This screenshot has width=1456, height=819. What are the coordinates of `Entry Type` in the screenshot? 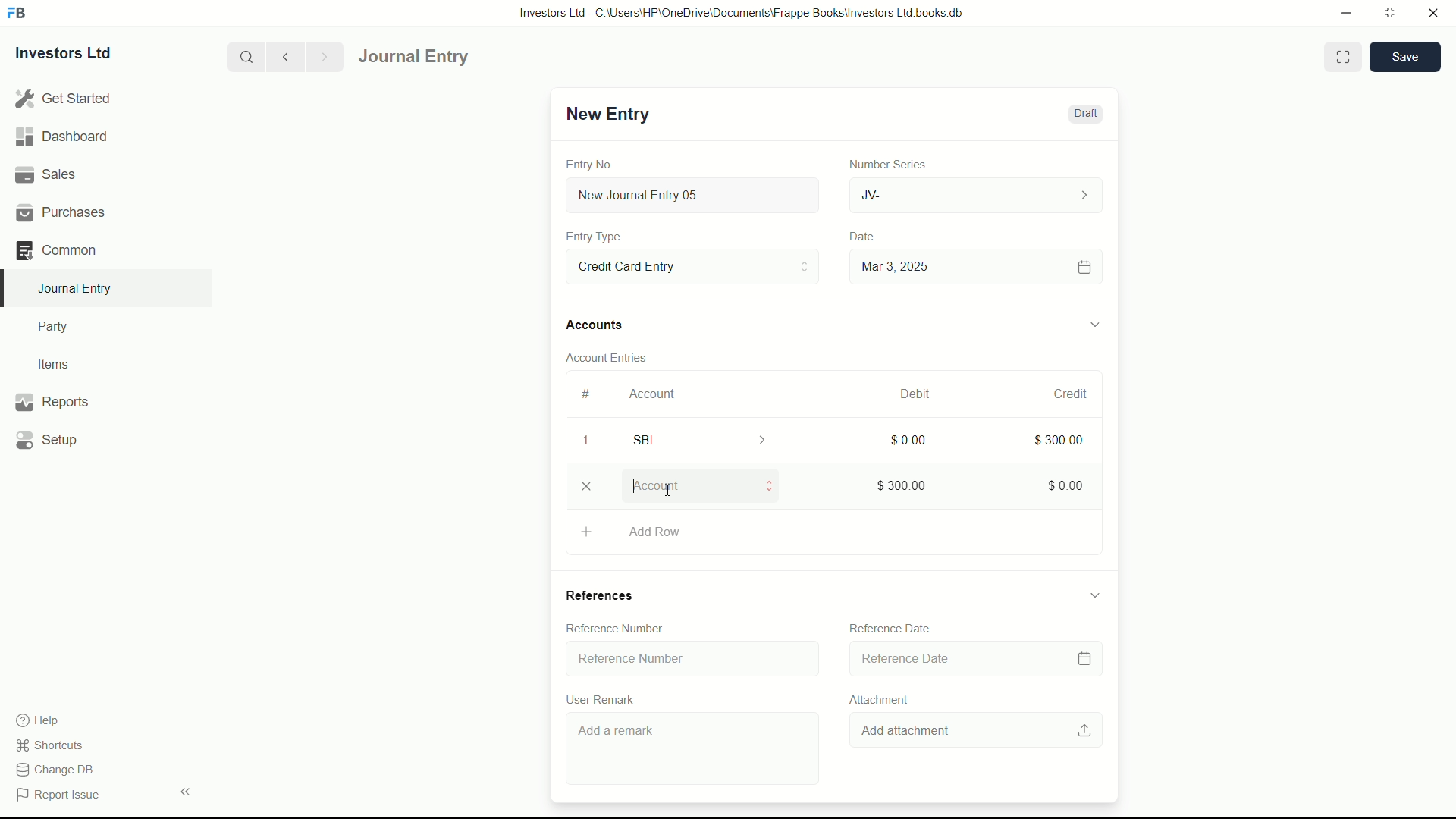 It's located at (594, 237).